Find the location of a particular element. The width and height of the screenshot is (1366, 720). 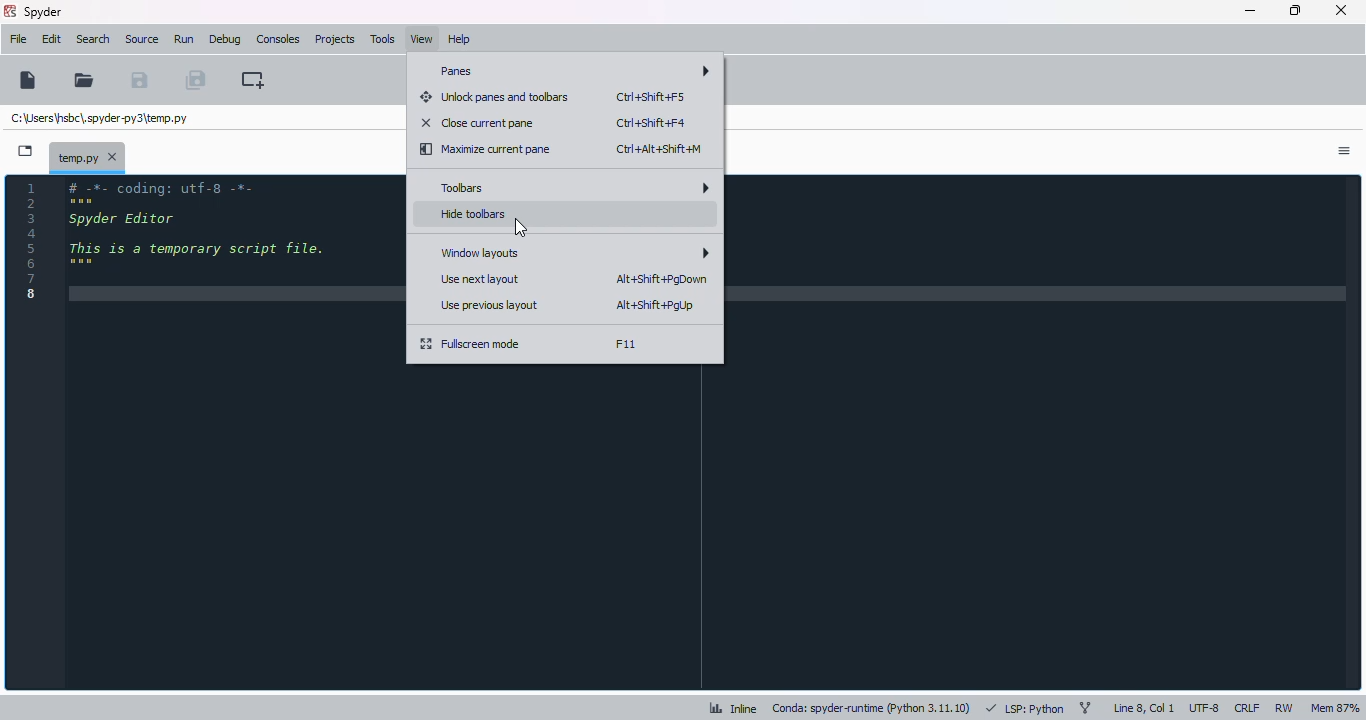

UTF-8 is located at coordinates (1205, 709).